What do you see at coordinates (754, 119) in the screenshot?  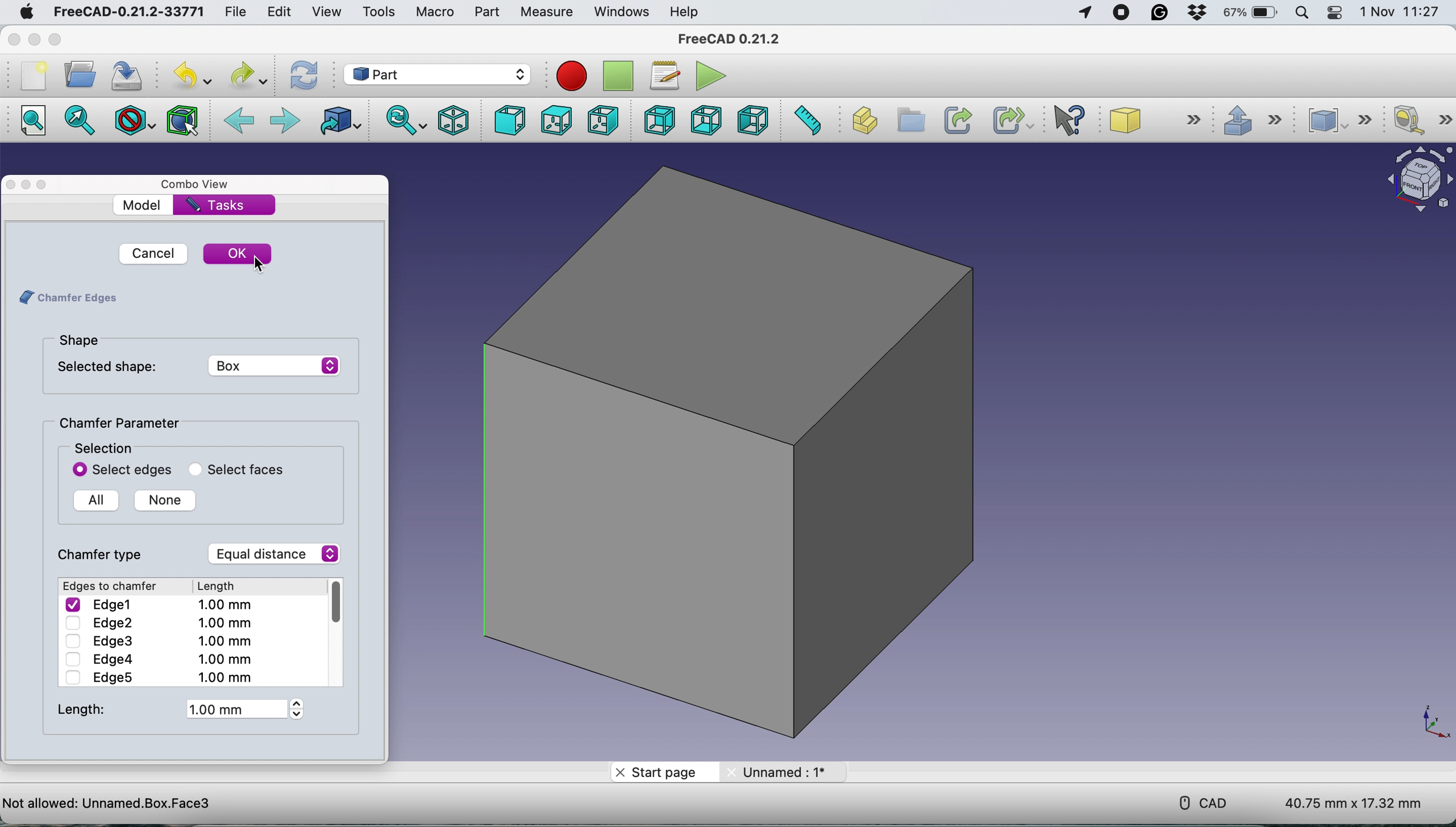 I see `left` at bounding box center [754, 119].